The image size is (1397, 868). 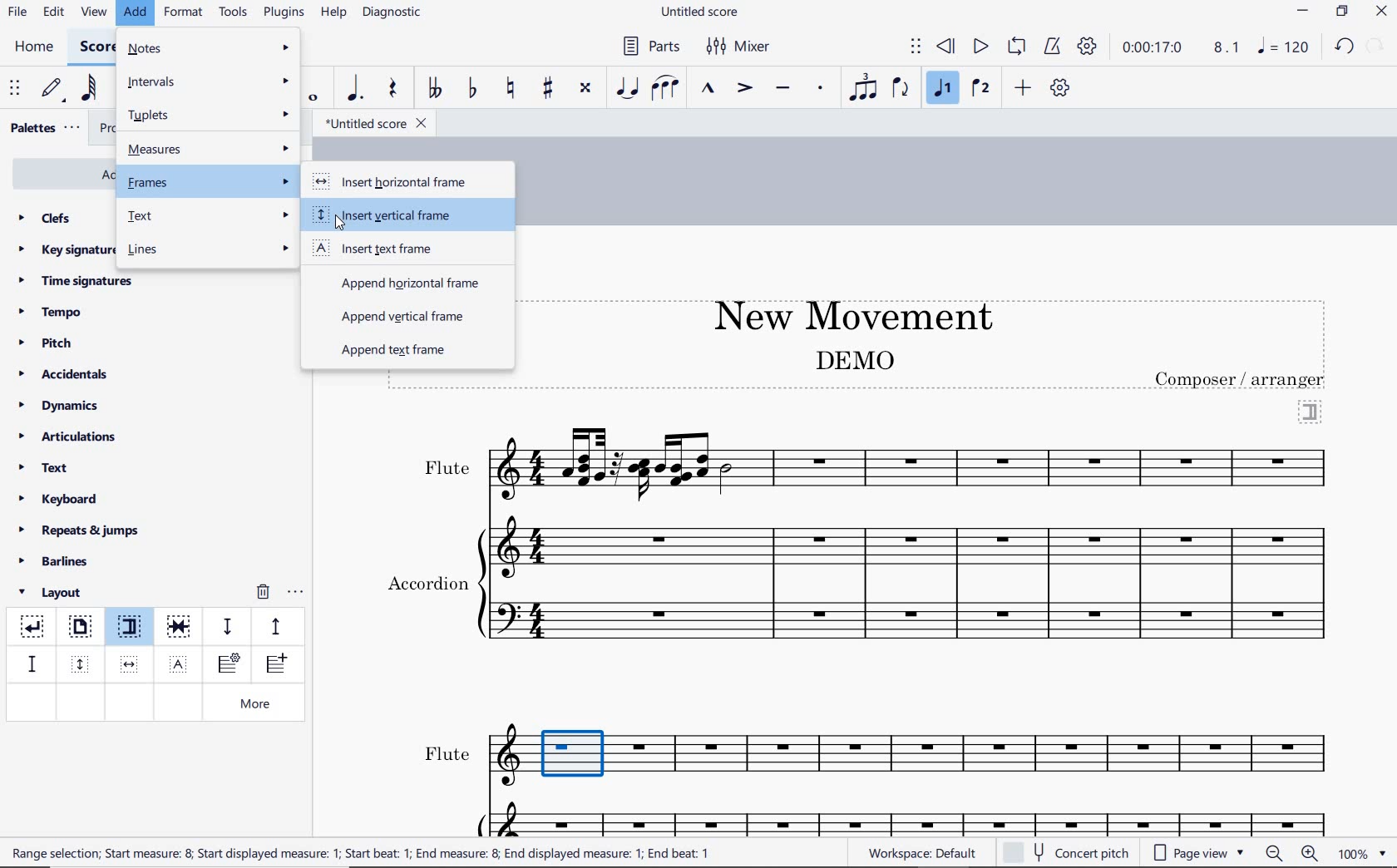 I want to click on staff spacer fixed down, so click(x=30, y=663).